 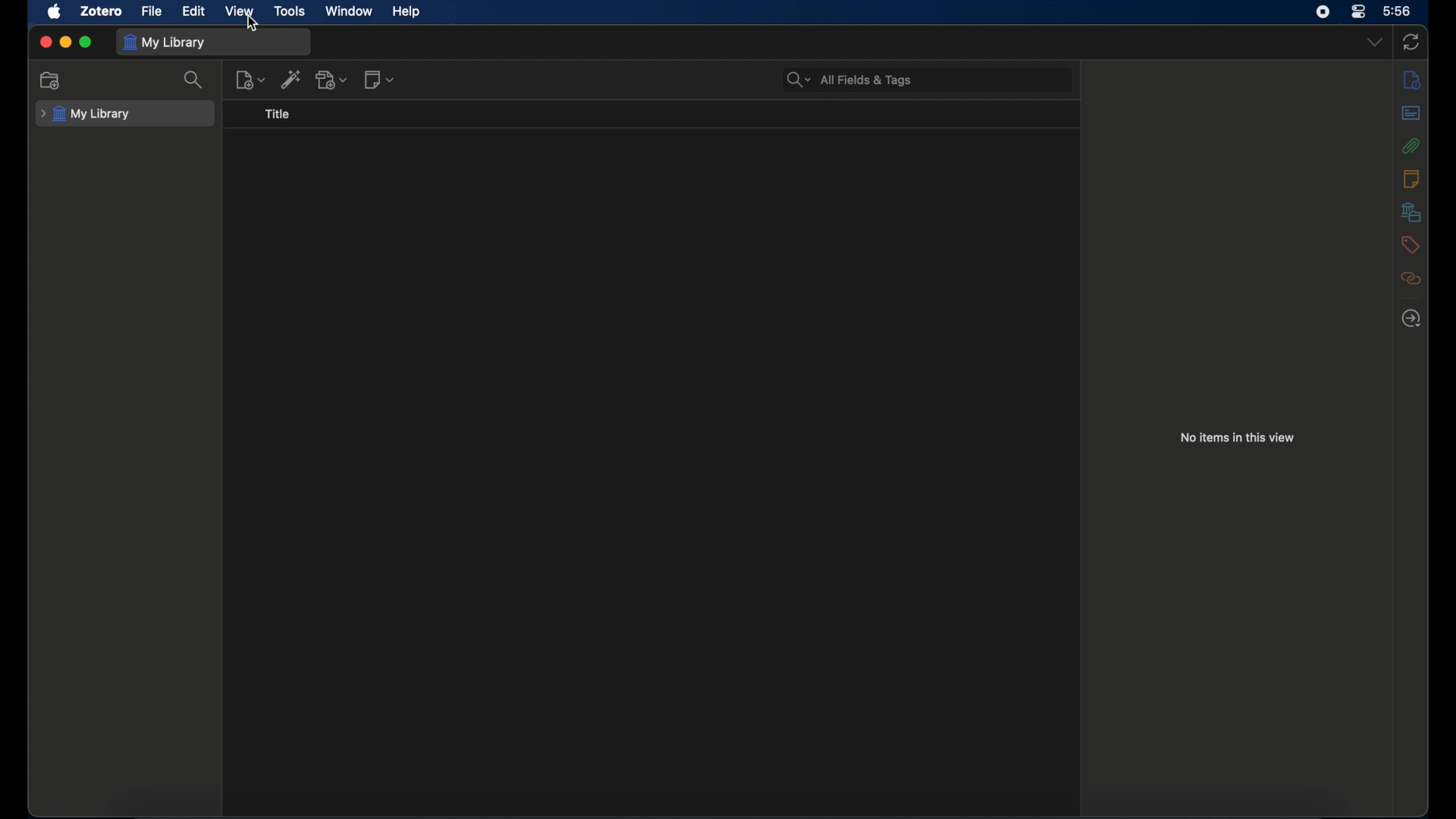 What do you see at coordinates (168, 42) in the screenshot?
I see `my library` at bounding box center [168, 42].